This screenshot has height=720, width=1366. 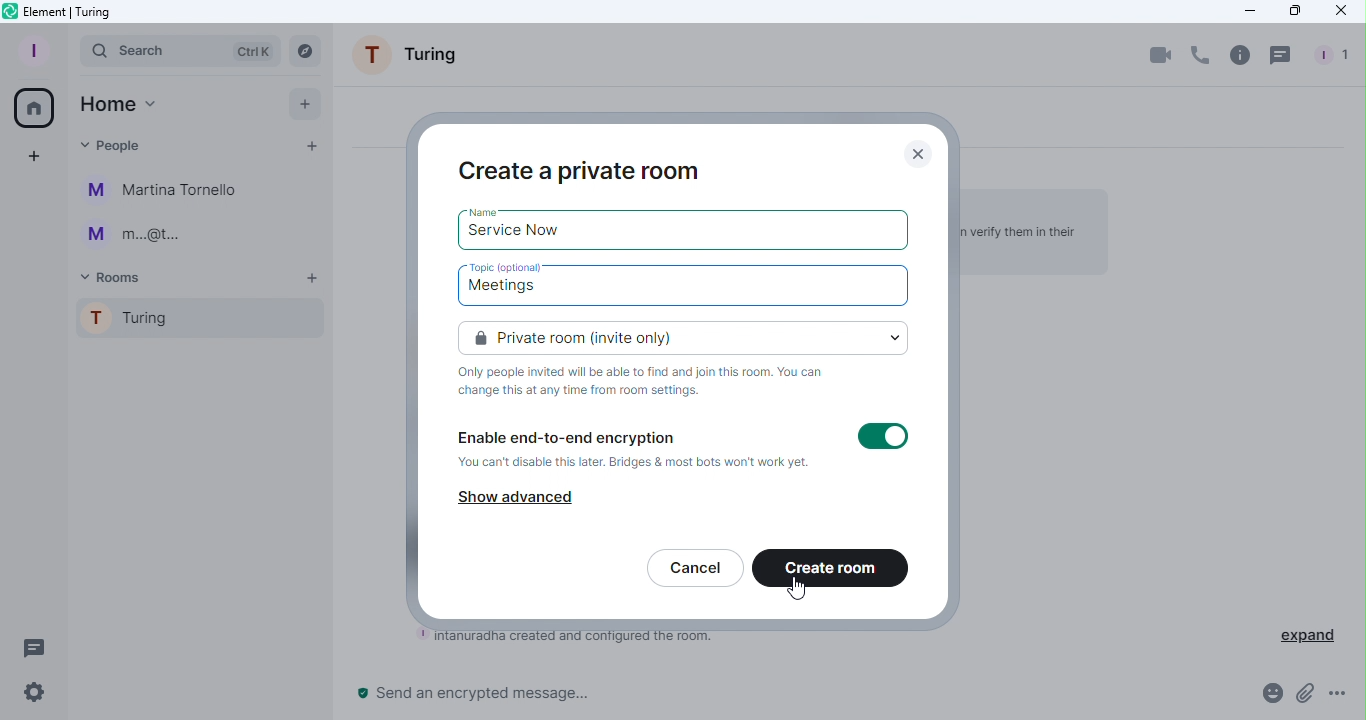 What do you see at coordinates (1283, 55) in the screenshot?
I see `Threads` at bounding box center [1283, 55].